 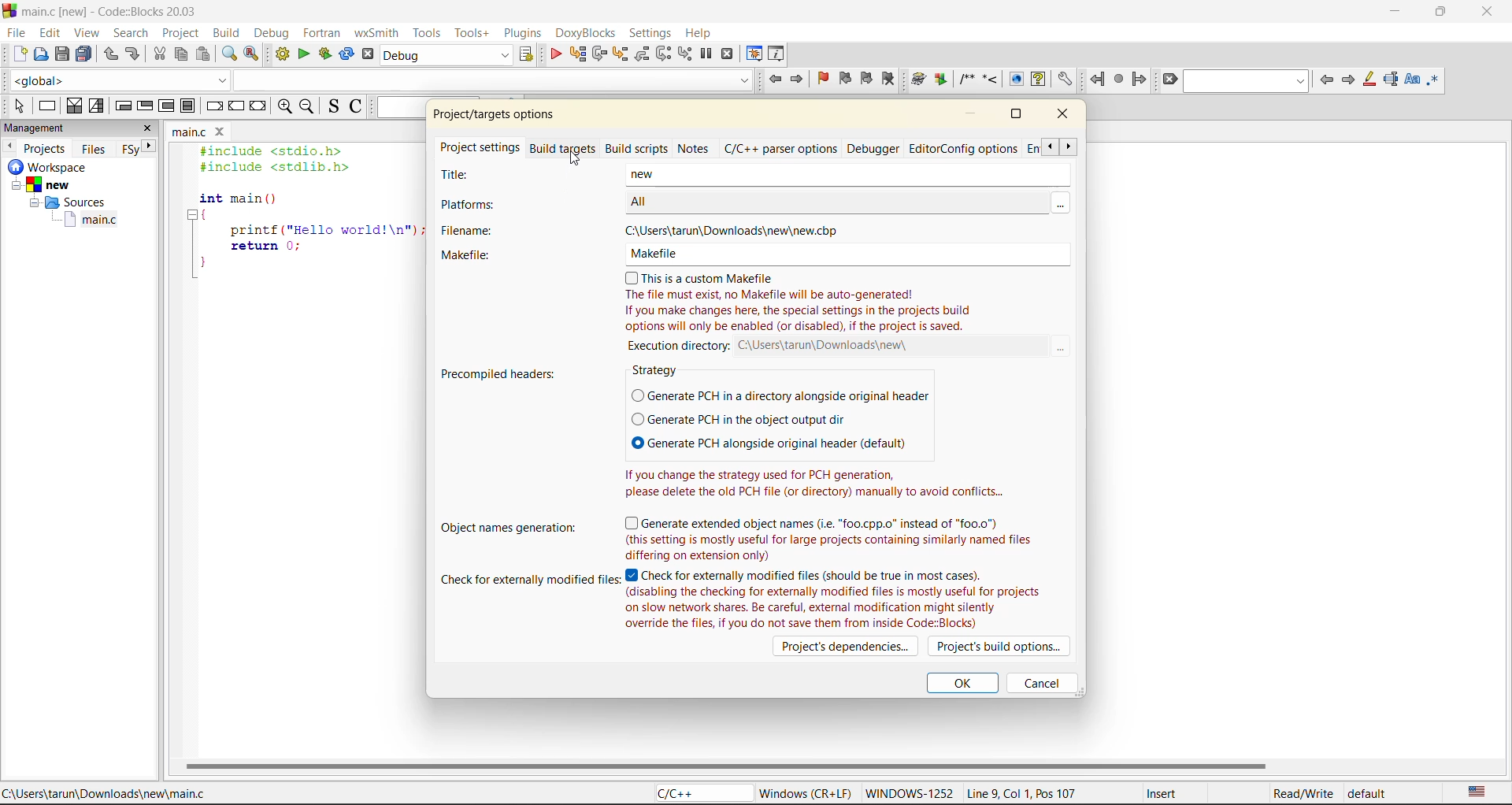 What do you see at coordinates (1247, 81) in the screenshot?
I see `text to find` at bounding box center [1247, 81].